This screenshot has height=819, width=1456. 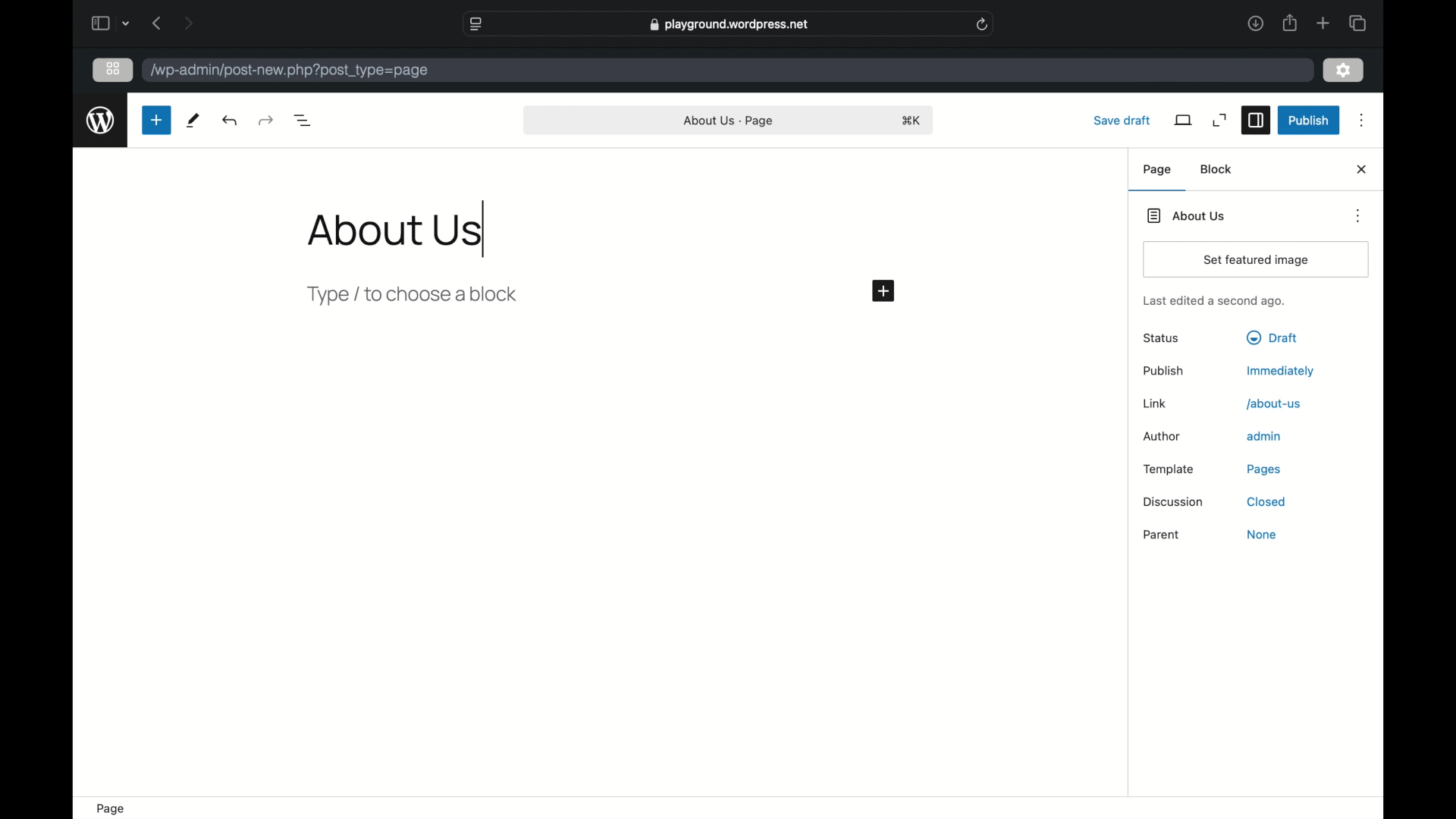 What do you see at coordinates (1265, 470) in the screenshot?
I see `pages` at bounding box center [1265, 470].